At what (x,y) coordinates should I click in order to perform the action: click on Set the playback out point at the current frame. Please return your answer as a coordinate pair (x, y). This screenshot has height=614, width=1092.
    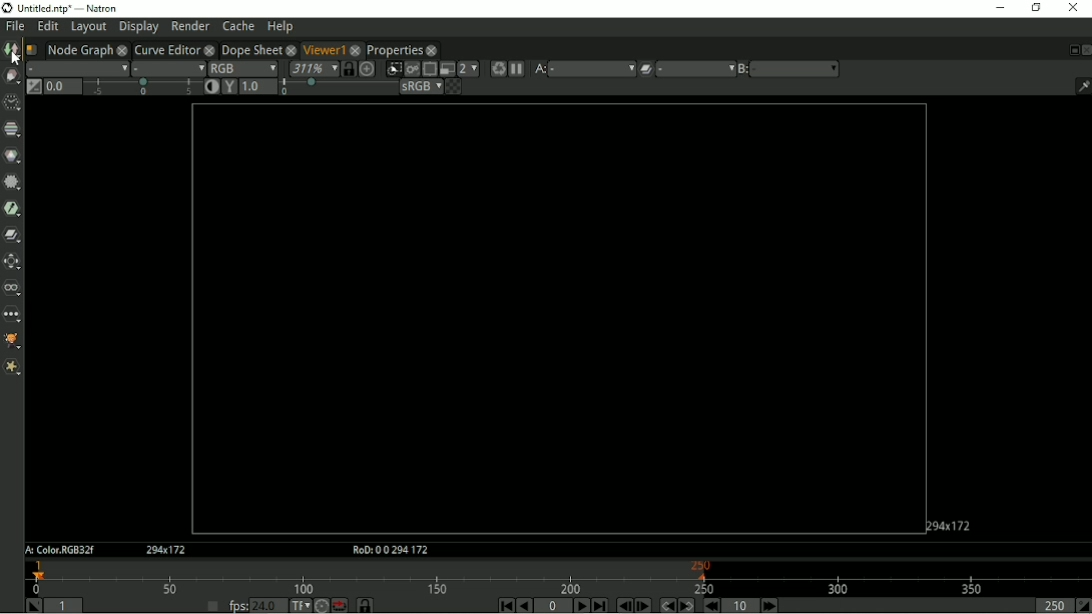
    Looking at the image, I should click on (1083, 606).